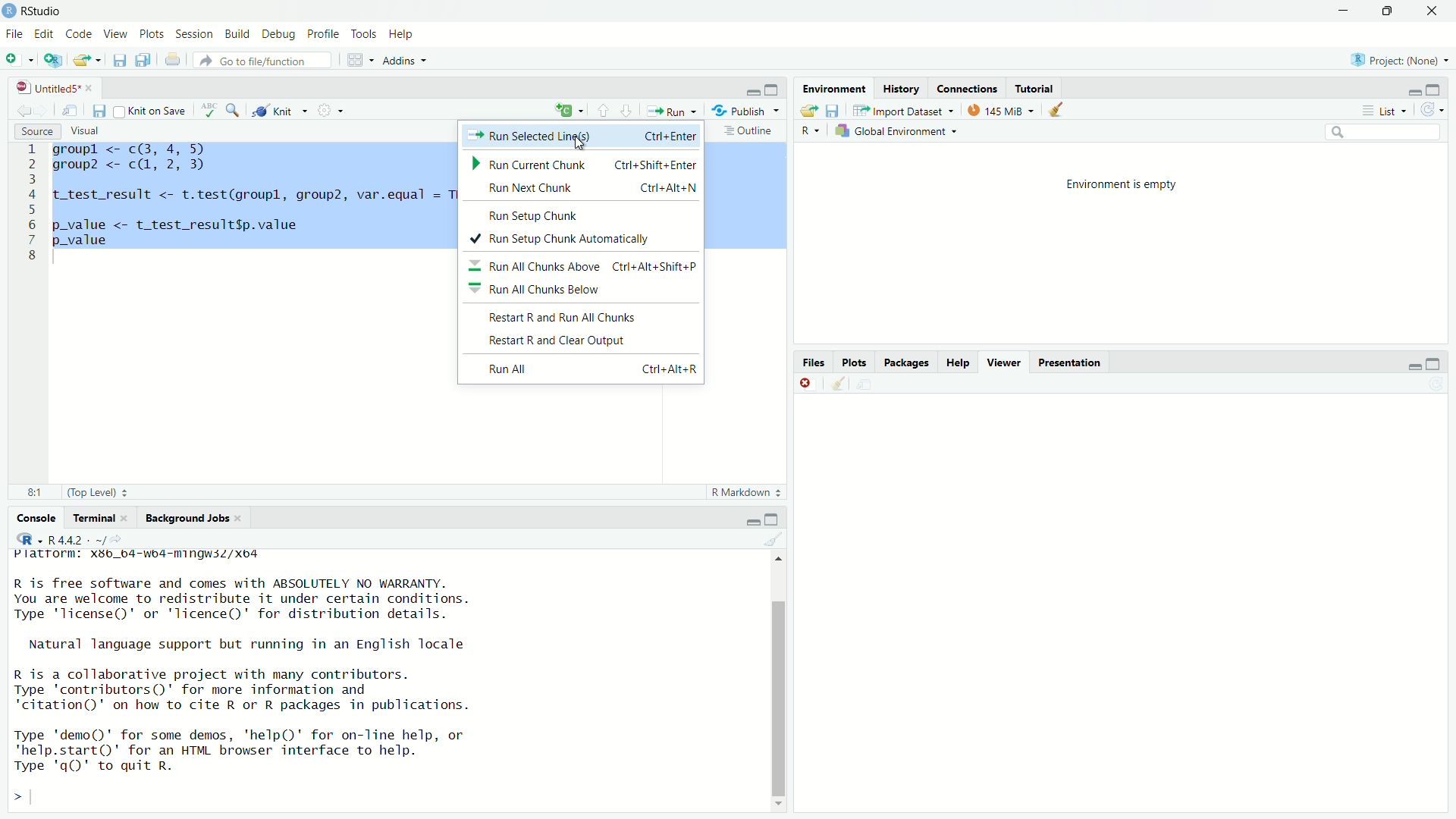 The width and height of the screenshot is (1456, 819). Describe the element at coordinates (366, 33) in the screenshot. I see `Tools` at that location.